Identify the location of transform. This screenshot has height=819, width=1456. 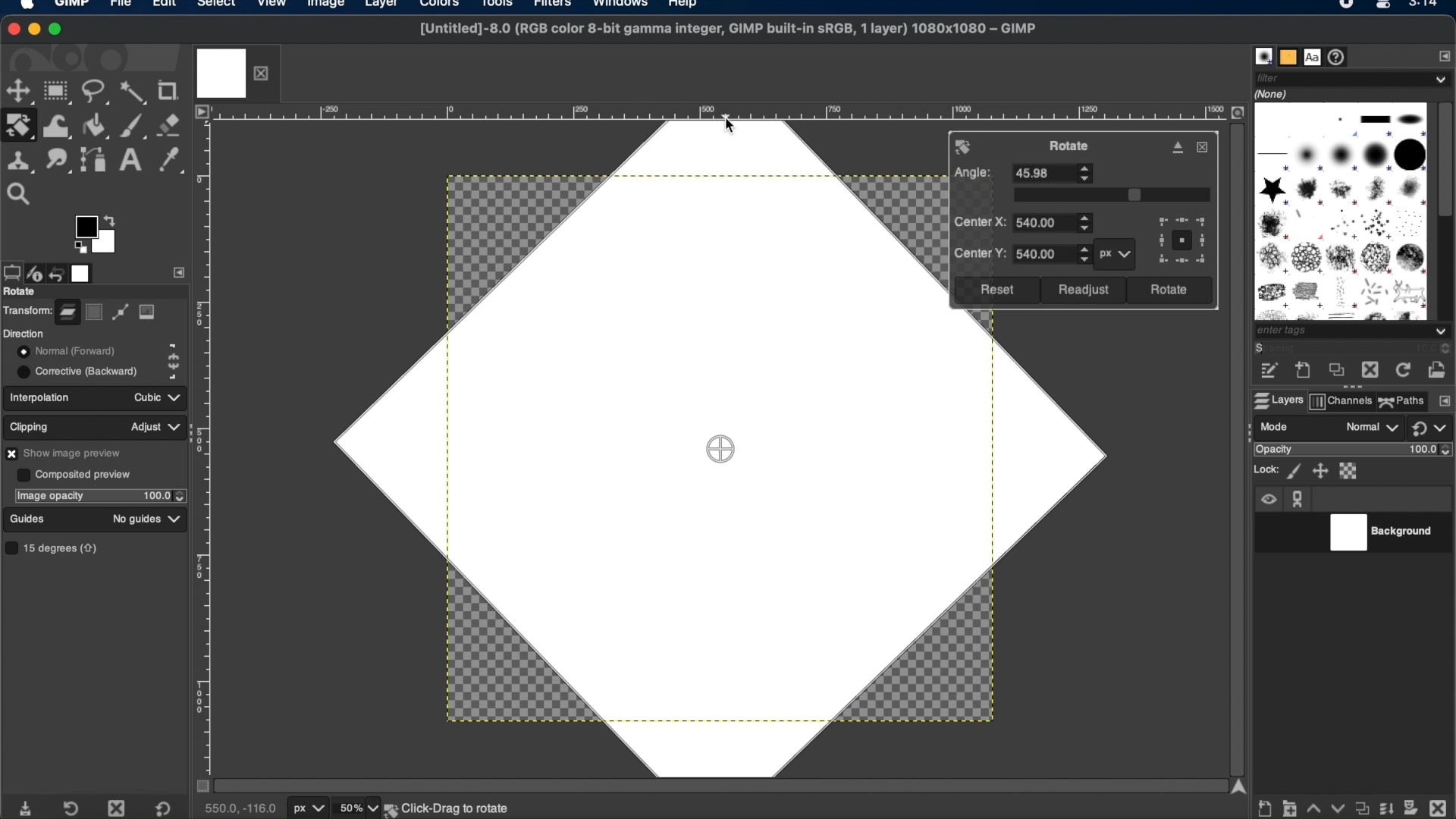
(27, 309).